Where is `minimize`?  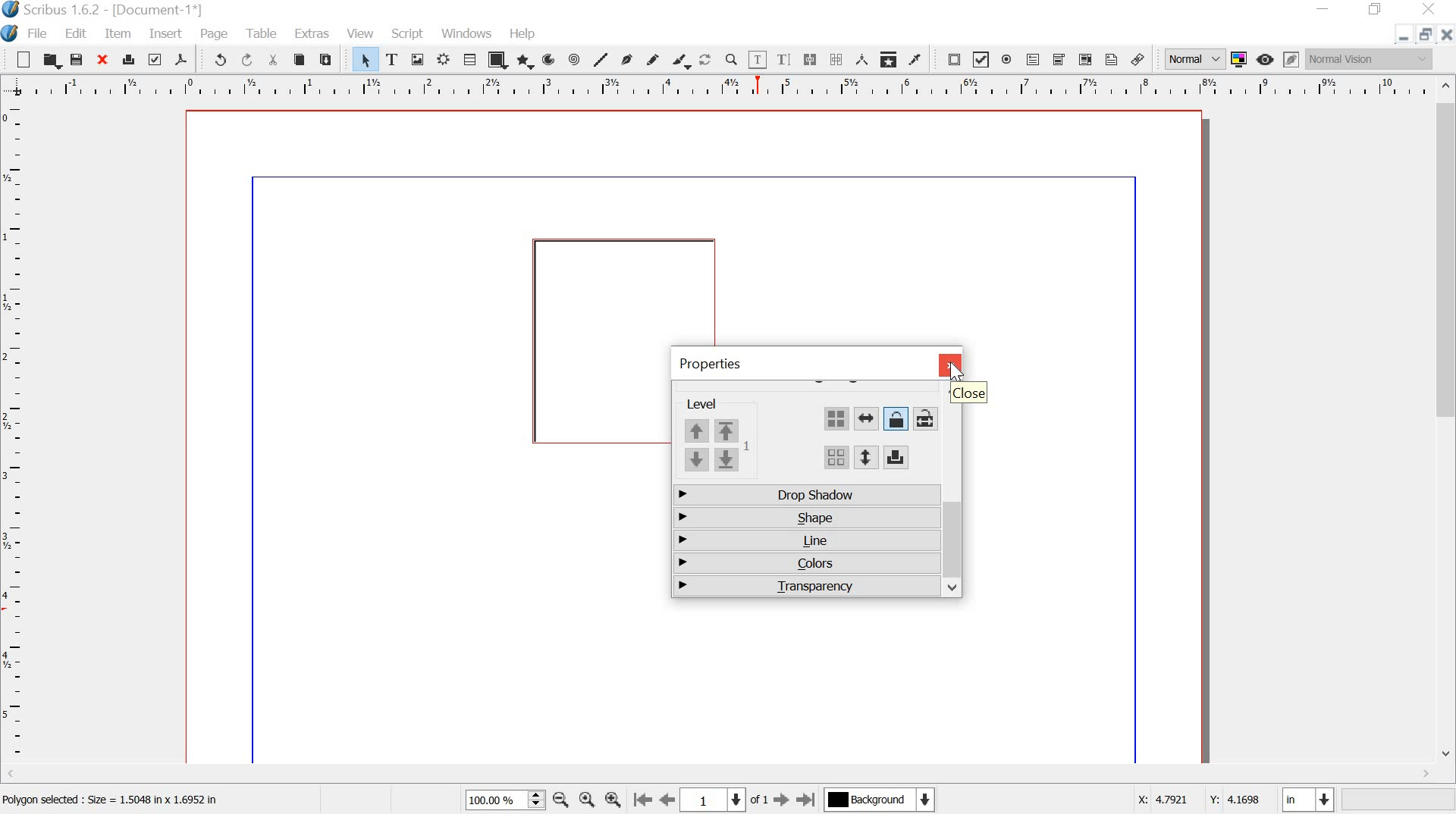 minimize is located at coordinates (1325, 8).